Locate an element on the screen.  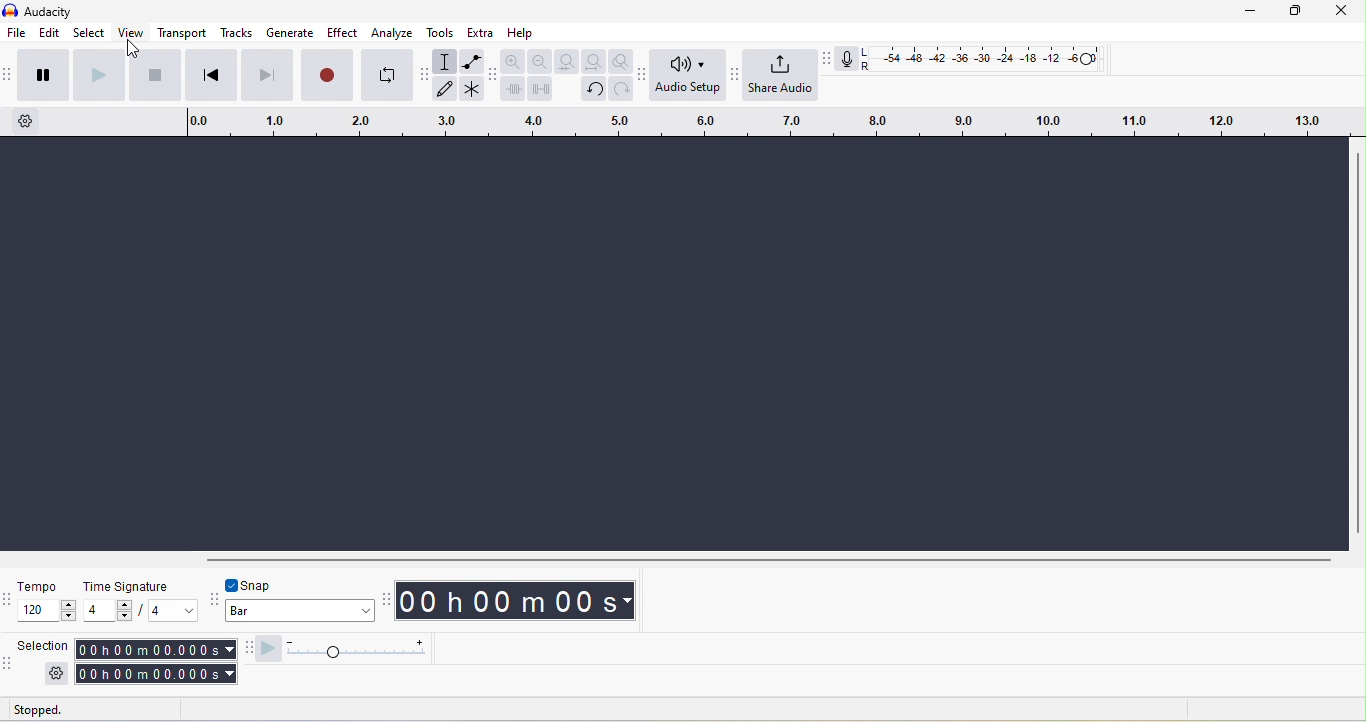
audacity time toolbar is located at coordinates (384, 602).